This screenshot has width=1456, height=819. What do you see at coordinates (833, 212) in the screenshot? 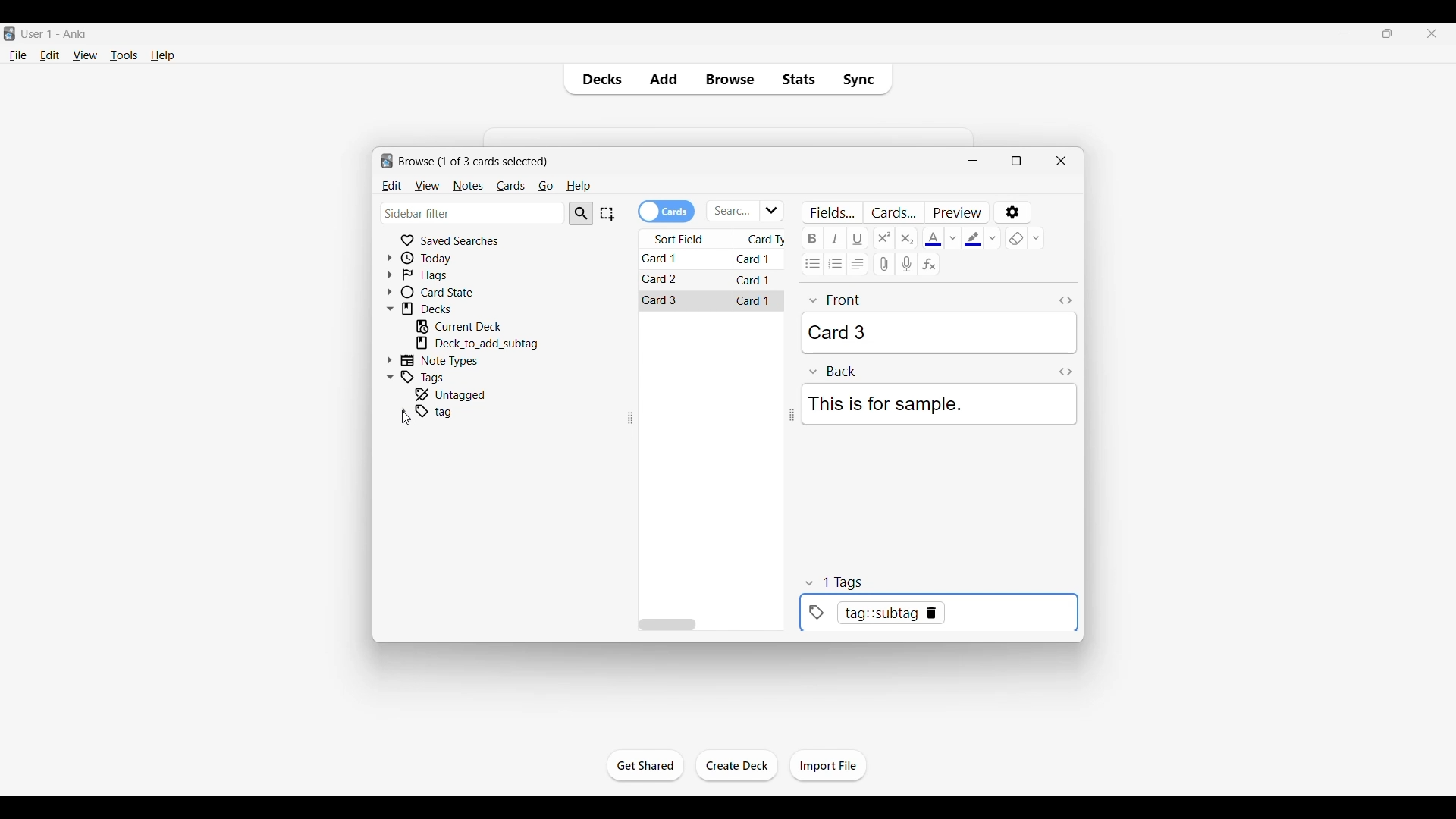
I see `Customize fields` at bounding box center [833, 212].